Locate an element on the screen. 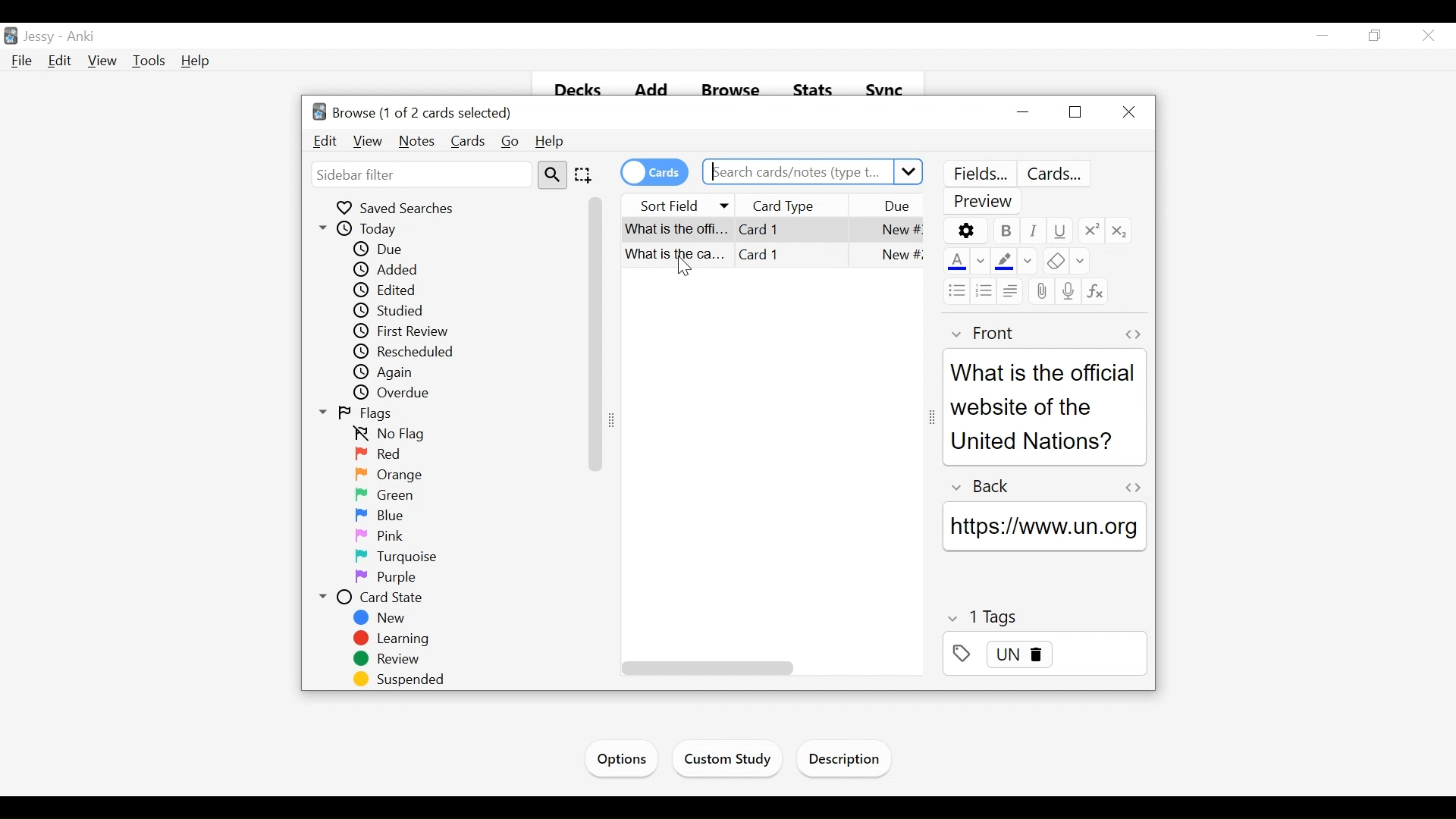 The image size is (1456, 819). Notes is located at coordinates (417, 141).